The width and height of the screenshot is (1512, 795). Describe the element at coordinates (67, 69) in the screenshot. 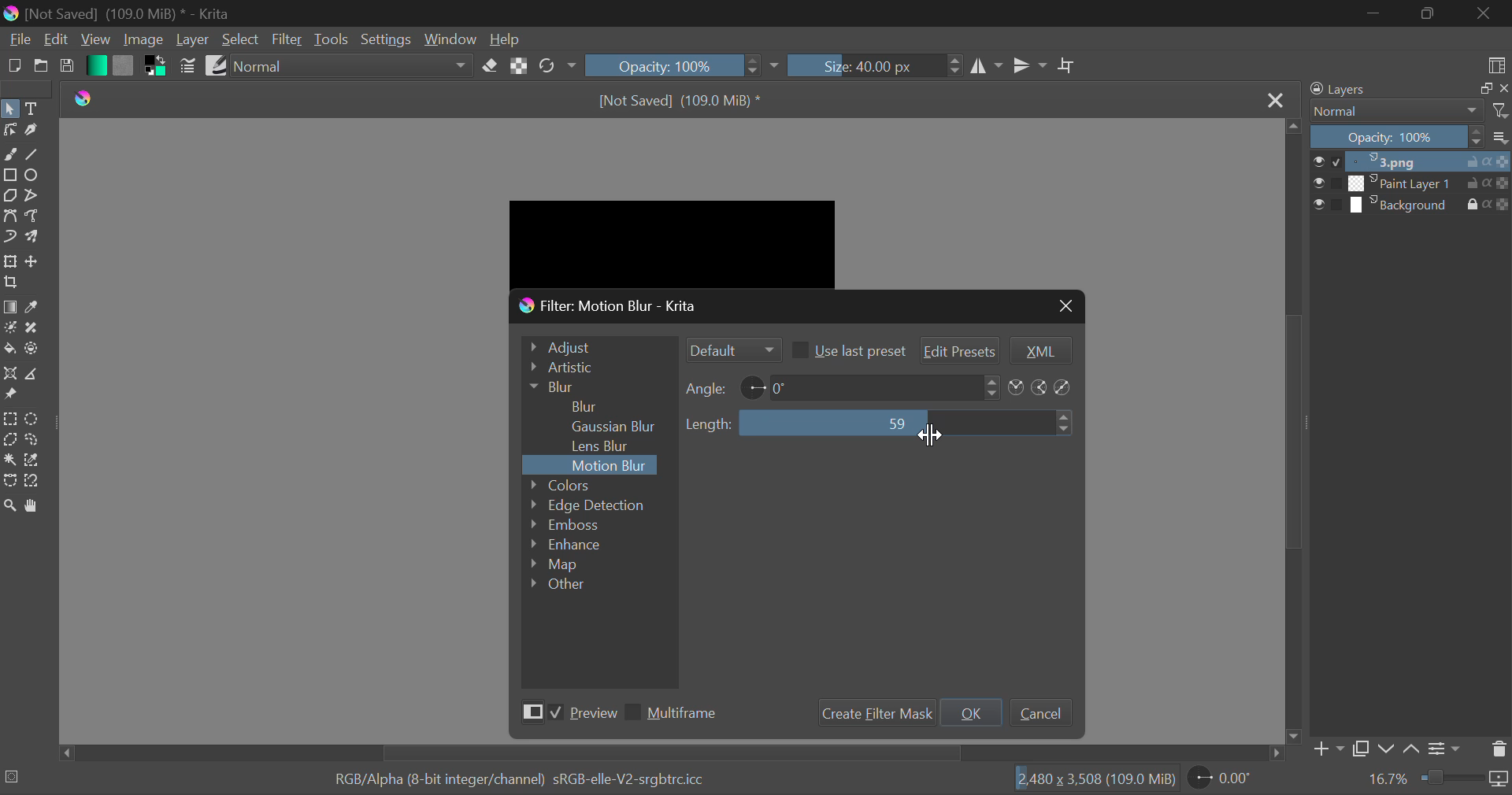

I see `Save` at that location.